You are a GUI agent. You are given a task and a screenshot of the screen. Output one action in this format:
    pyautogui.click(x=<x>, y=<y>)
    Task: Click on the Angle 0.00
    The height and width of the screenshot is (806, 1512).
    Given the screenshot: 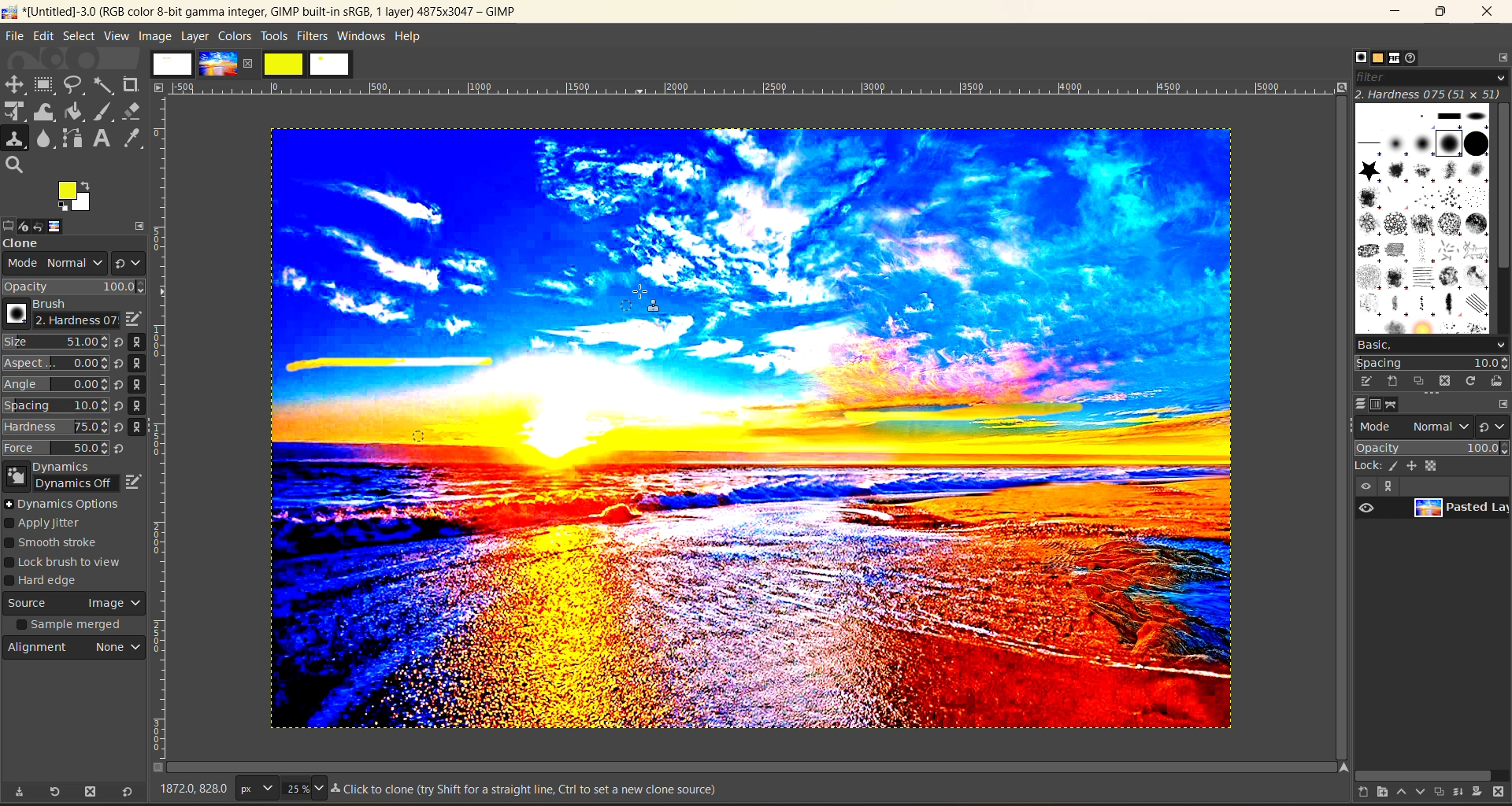 What is the action you would take?
    pyautogui.click(x=56, y=386)
    